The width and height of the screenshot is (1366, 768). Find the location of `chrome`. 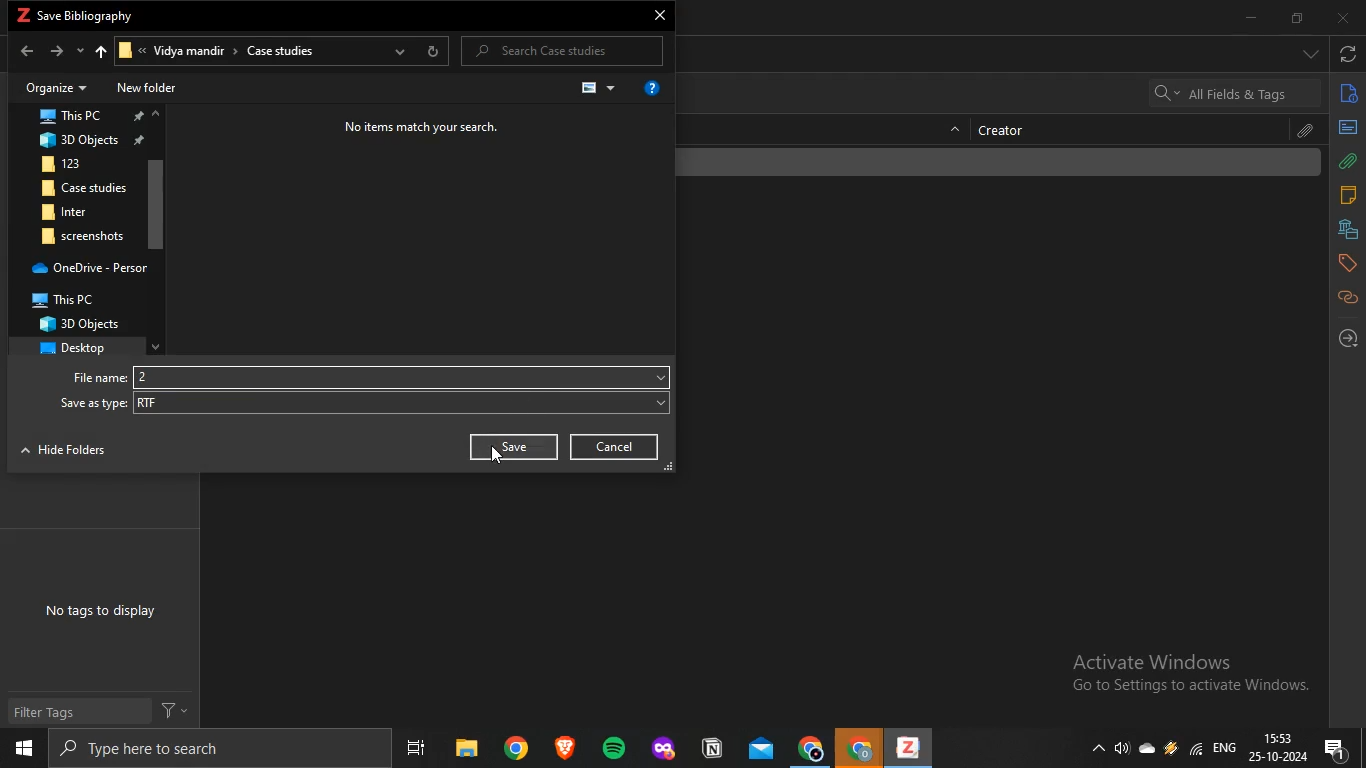

chrome is located at coordinates (860, 748).